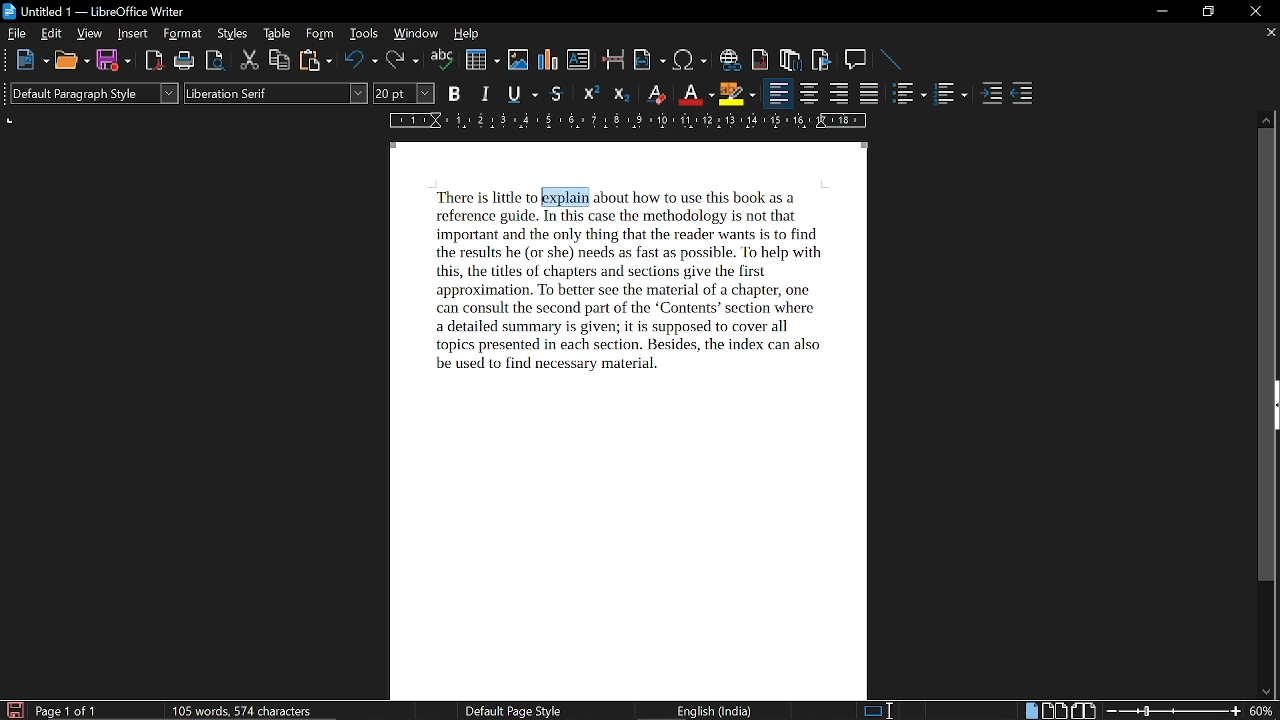  Describe the element at coordinates (1266, 693) in the screenshot. I see `move down` at that location.